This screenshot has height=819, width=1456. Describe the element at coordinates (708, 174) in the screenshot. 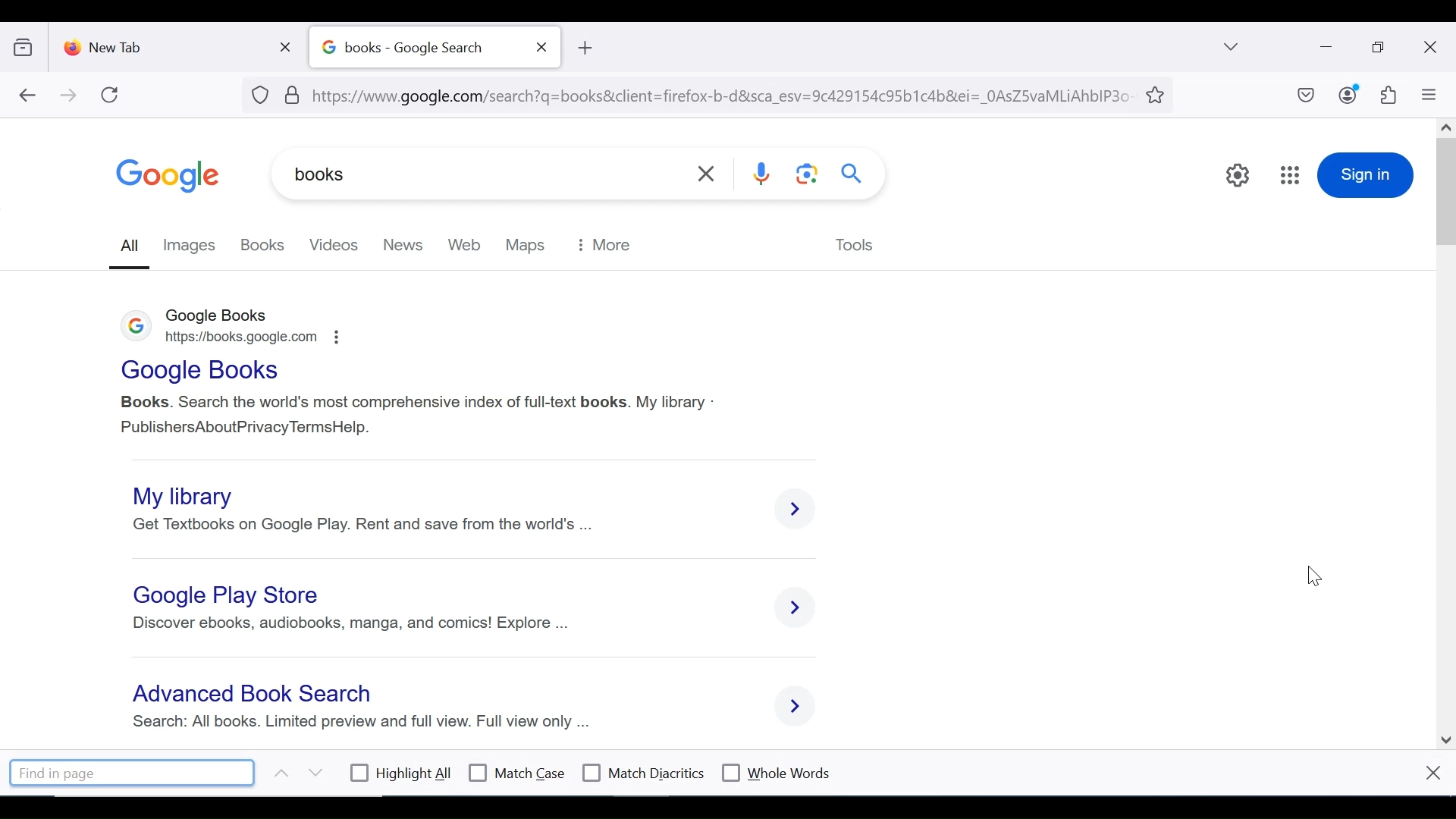

I see `clear search` at that location.